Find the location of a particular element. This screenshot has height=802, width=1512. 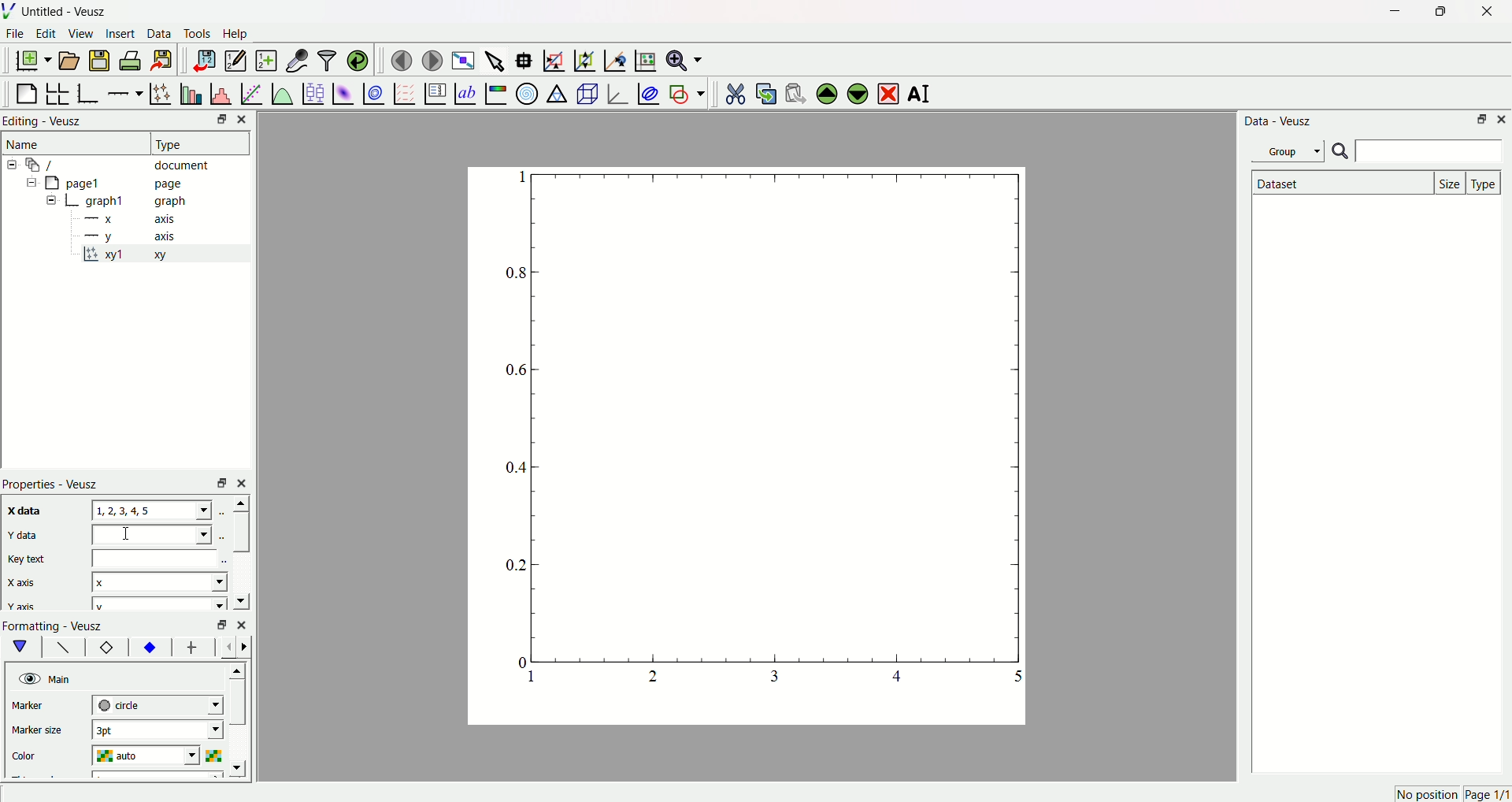

reset the graph axes is located at coordinates (643, 58).